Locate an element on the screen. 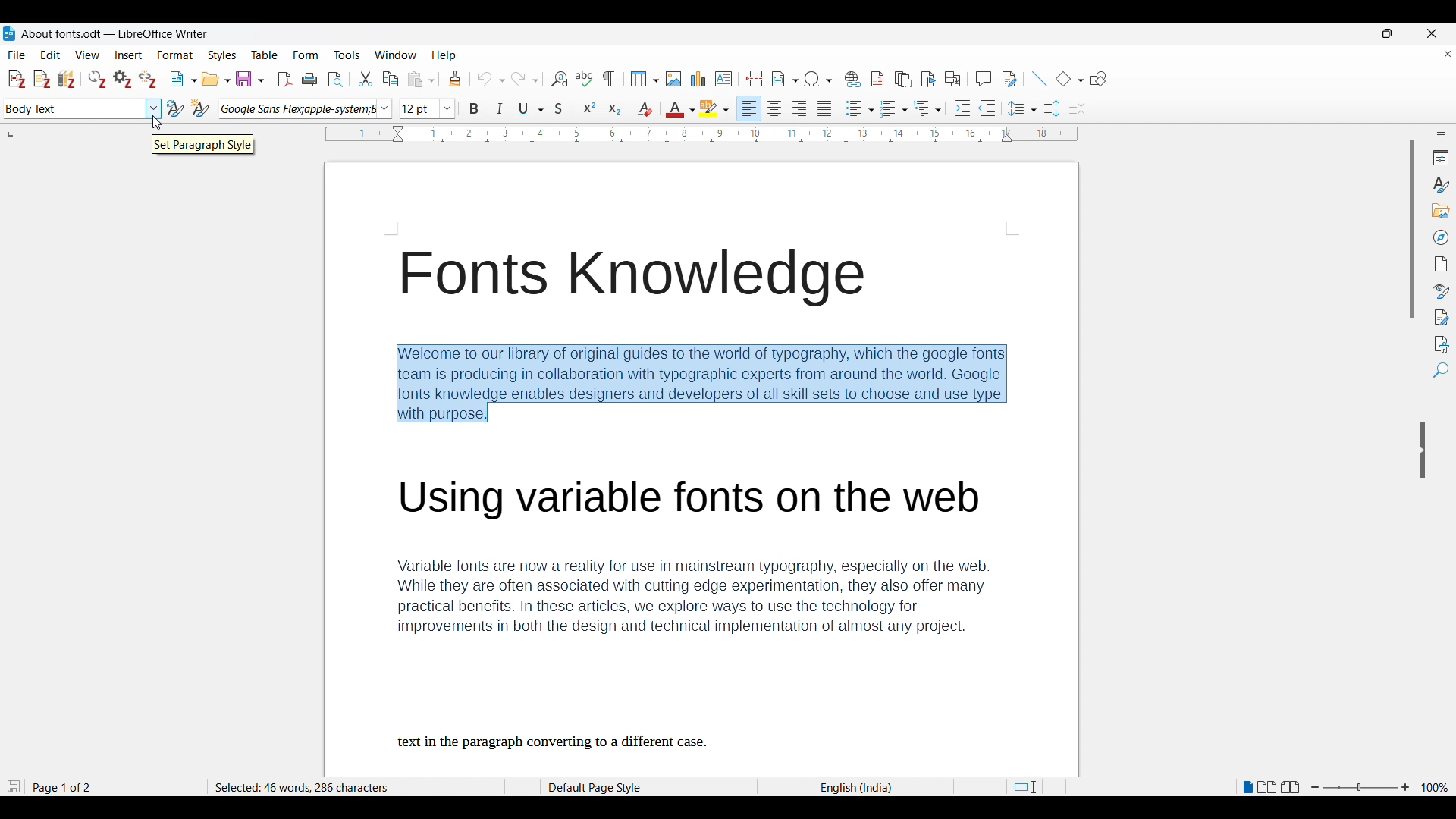  default page stye is located at coordinates (598, 786).